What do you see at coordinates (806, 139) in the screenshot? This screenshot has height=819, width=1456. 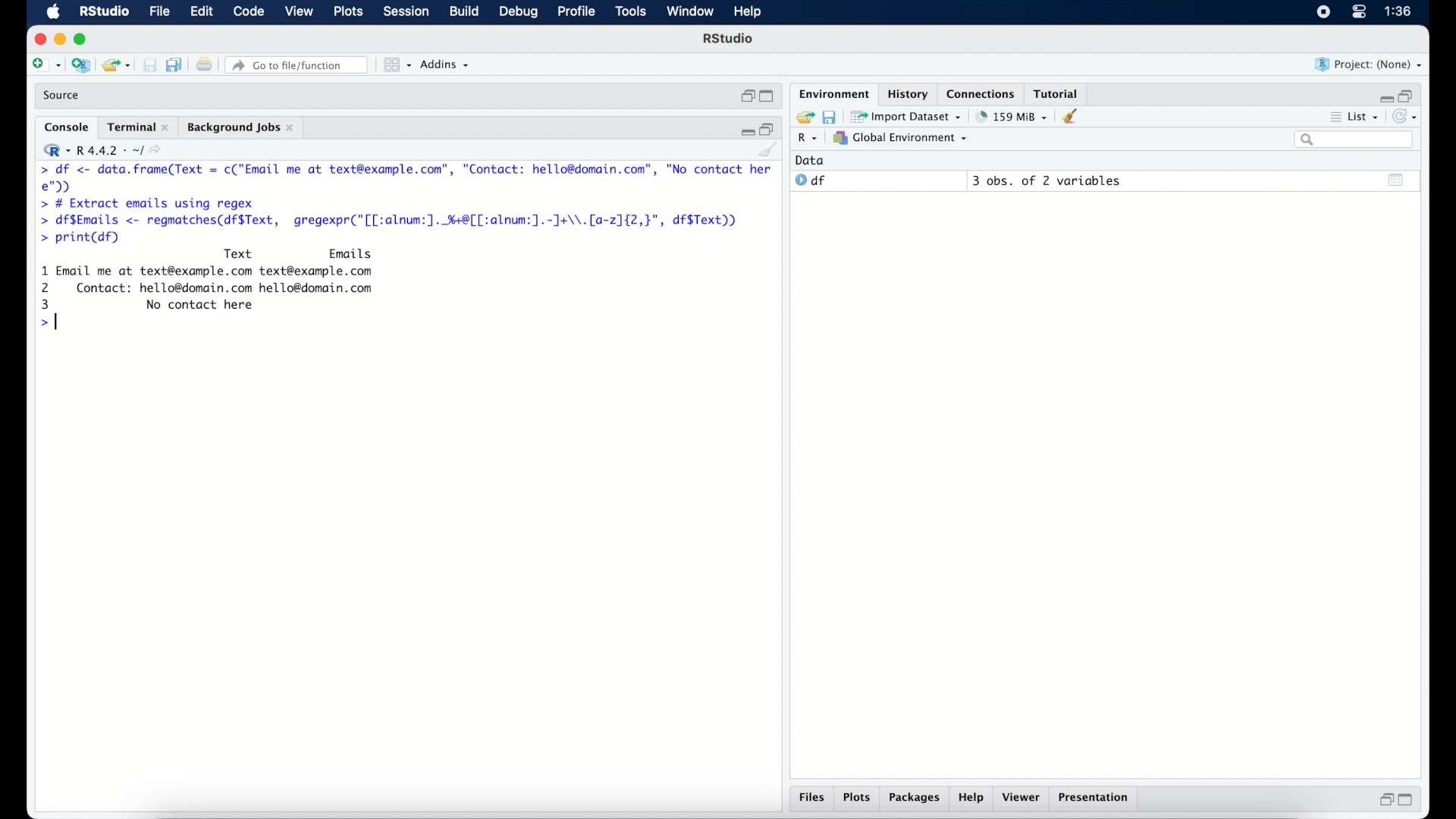 I see `R` at bounding box center [806, 139].